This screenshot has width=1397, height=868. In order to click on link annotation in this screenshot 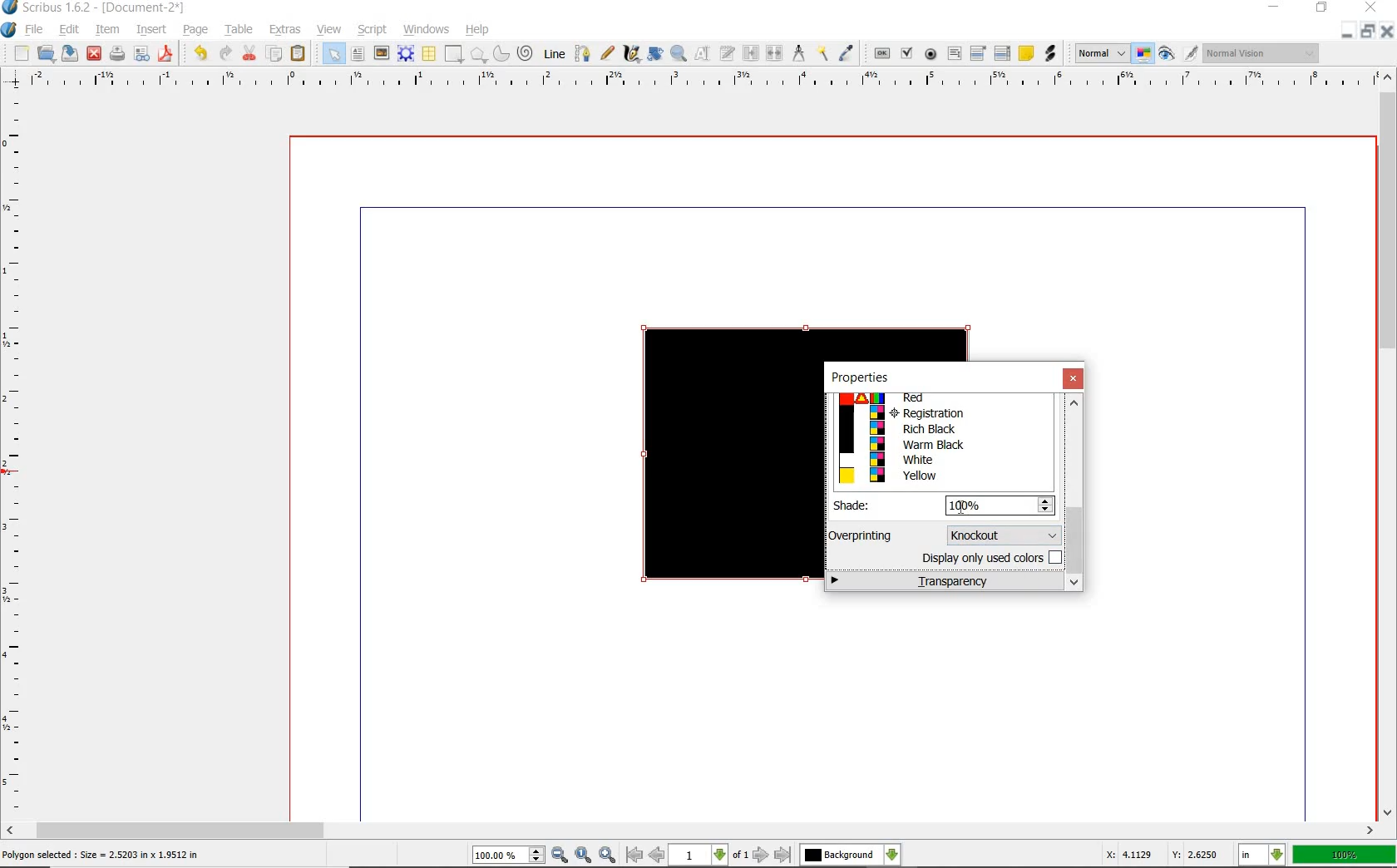, I will do `click(1050, 54)`.